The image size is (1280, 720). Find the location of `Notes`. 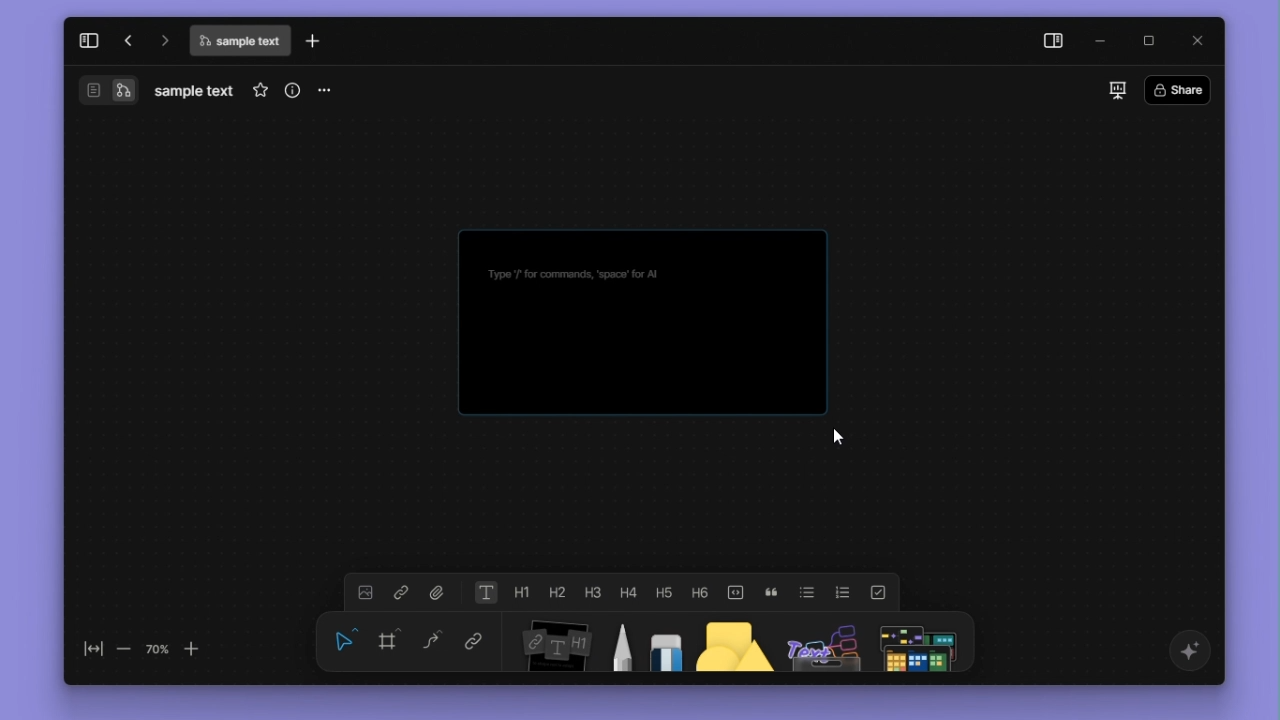

Notes is located at coordinates (551, 642).